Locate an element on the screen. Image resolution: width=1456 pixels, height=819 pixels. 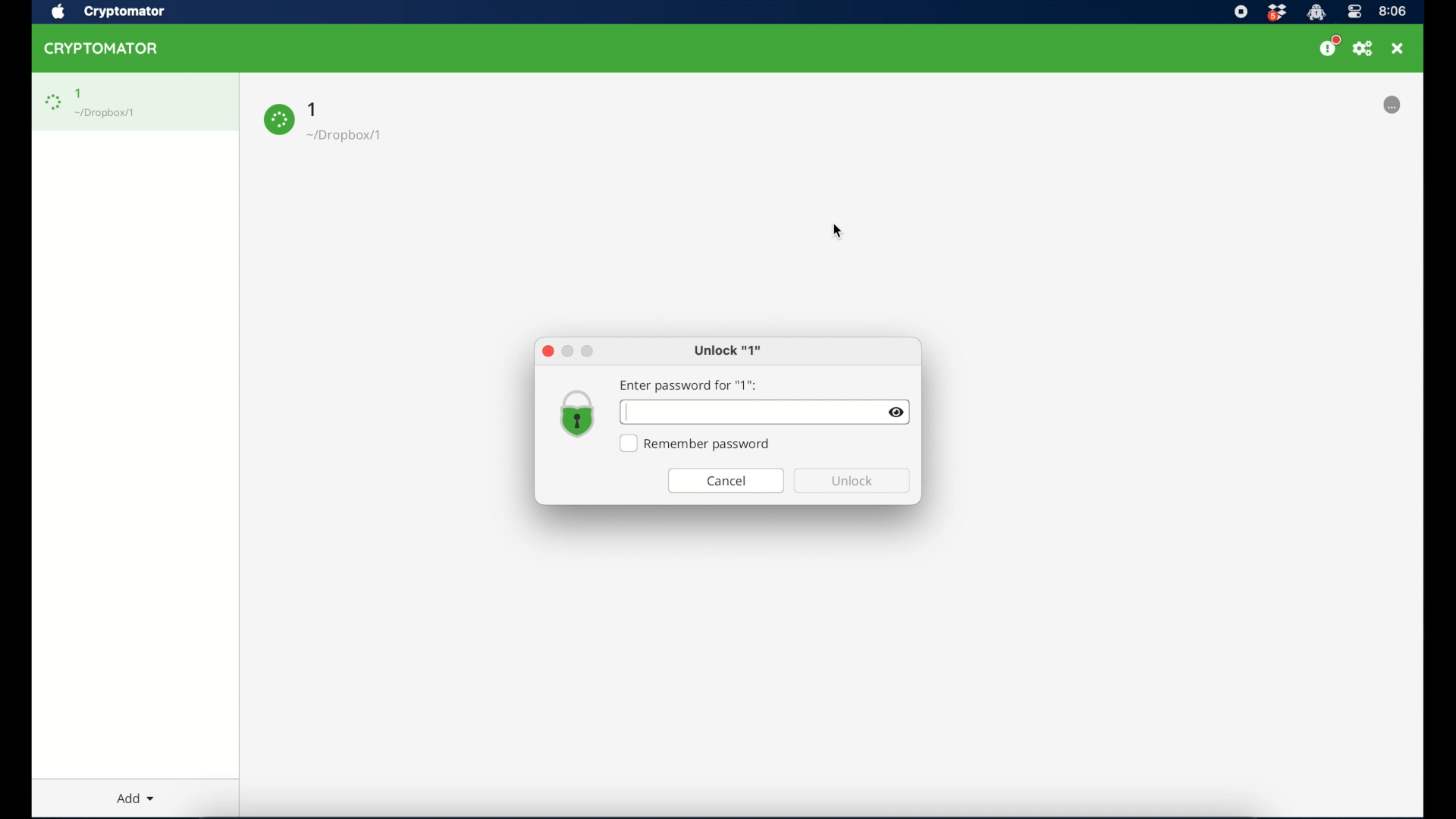
crytptomator is located at coordinates (1316, 13).